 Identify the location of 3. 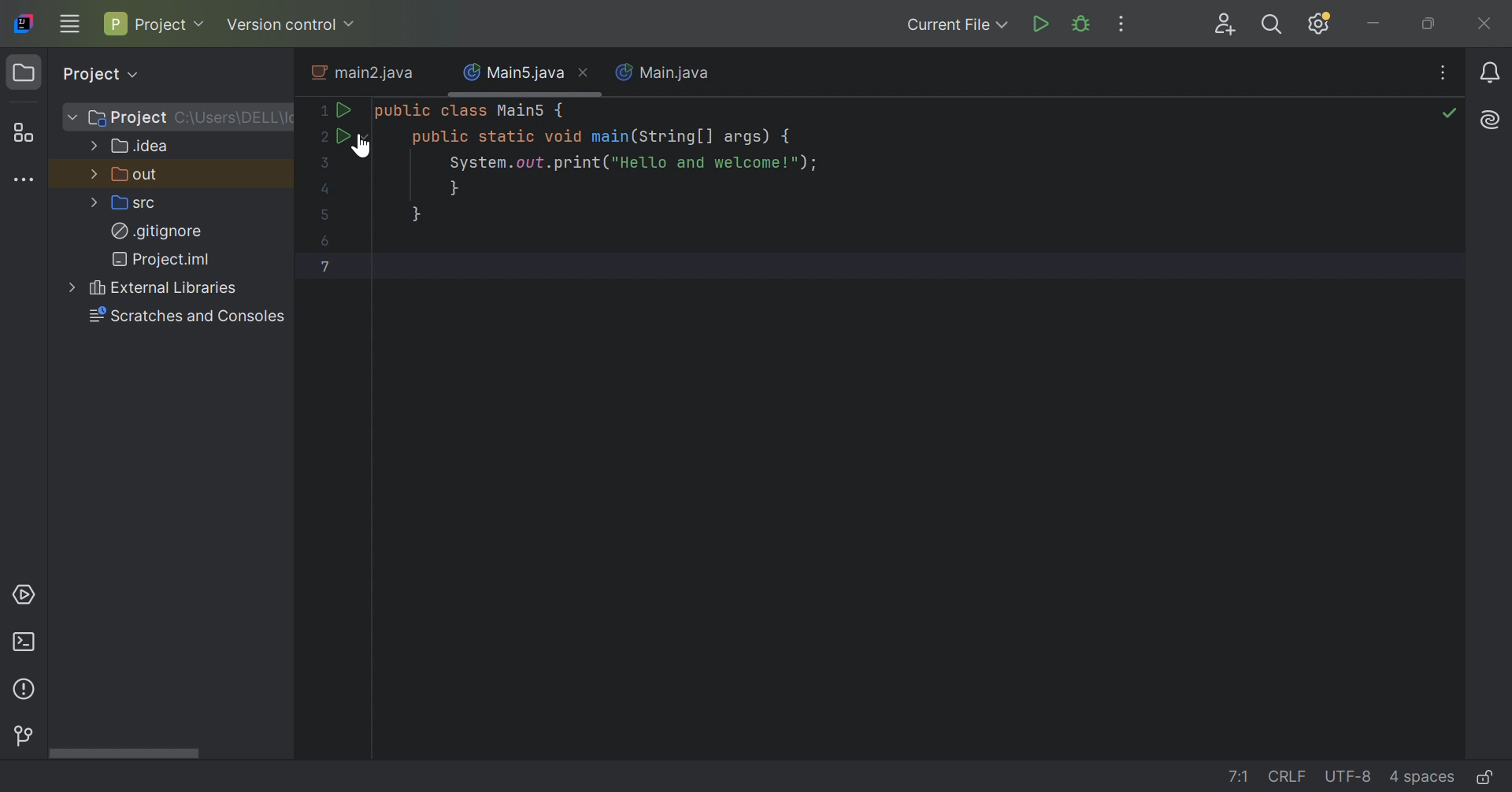
(325, 164).